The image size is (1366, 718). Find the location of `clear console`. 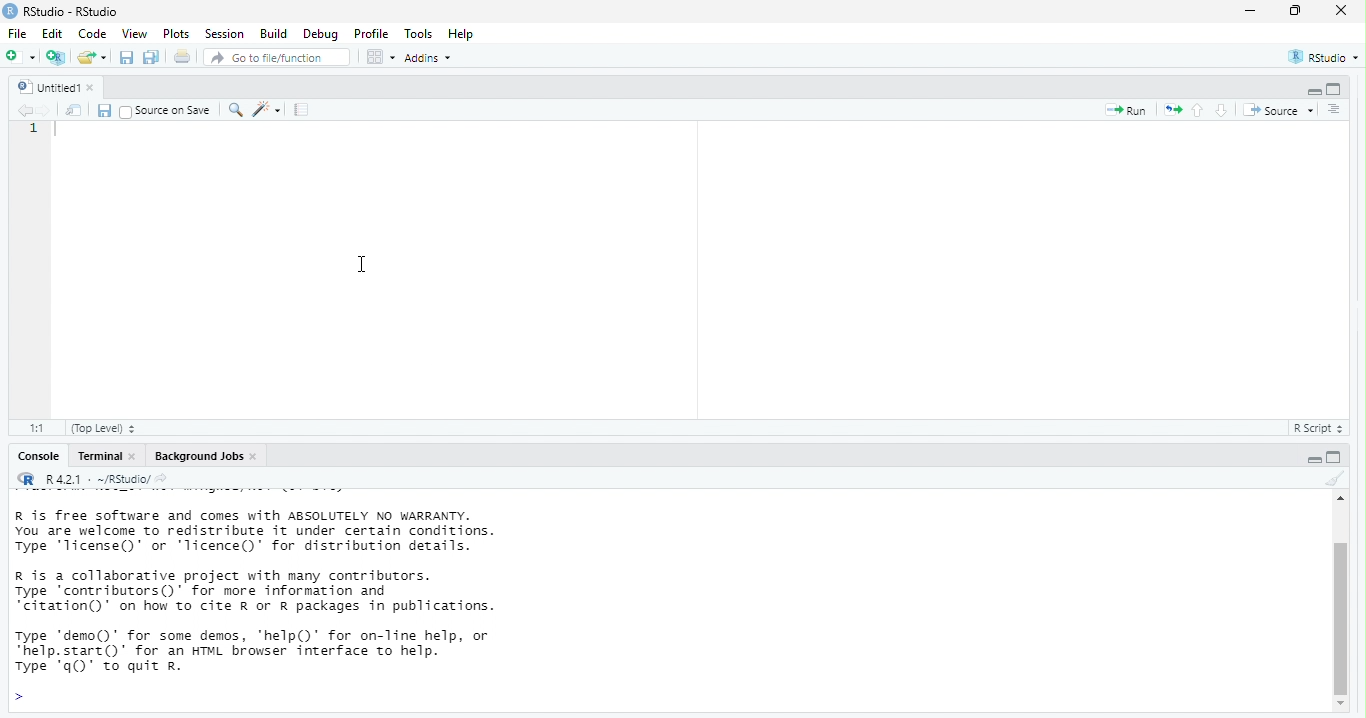

clear console is located at coordinates (1336, 477).